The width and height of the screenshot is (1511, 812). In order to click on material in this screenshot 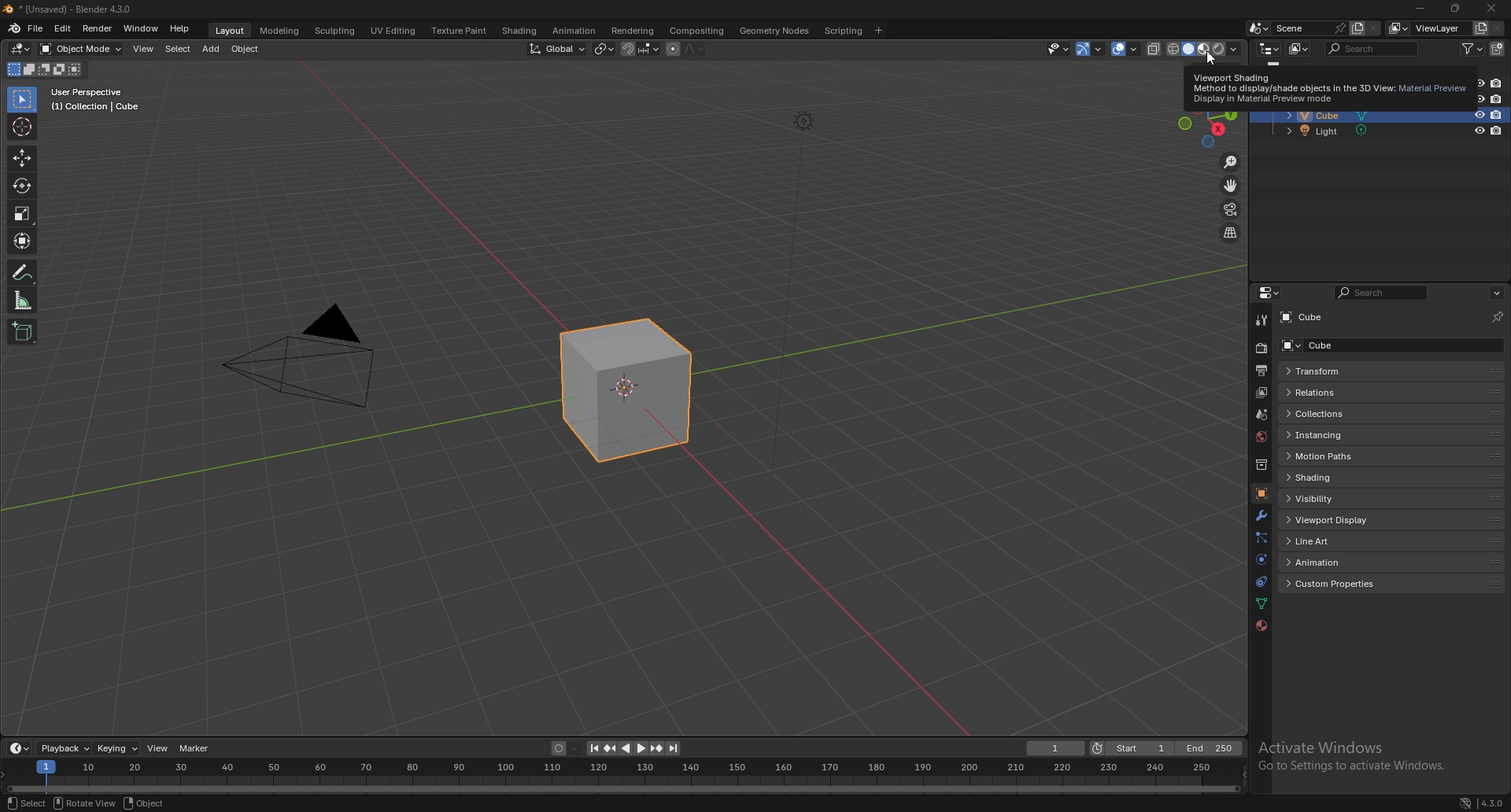, I will do `click(1261, 626)`.